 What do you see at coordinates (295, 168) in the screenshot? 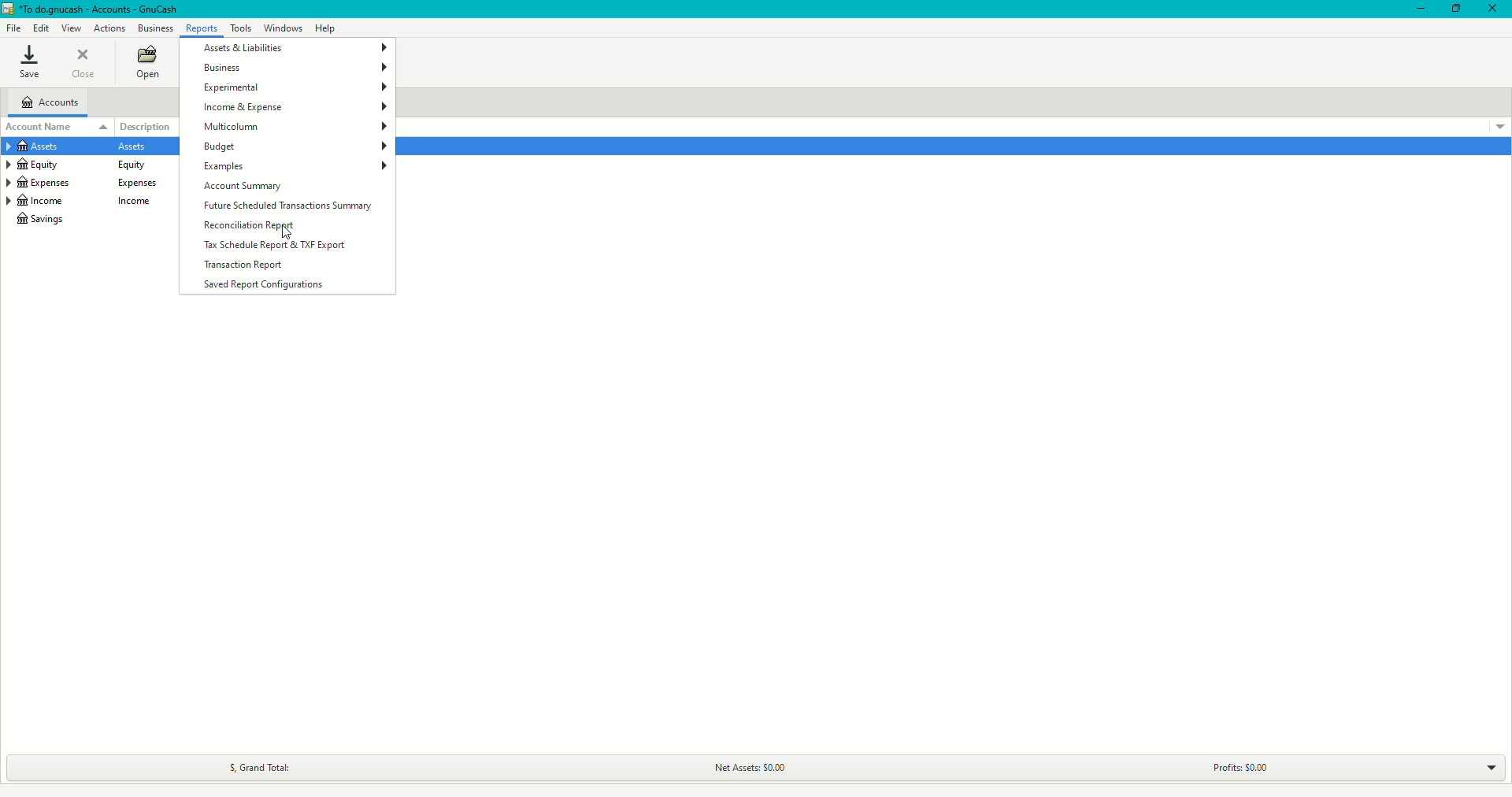
I see `Examples` at bounding box center [295, 168].